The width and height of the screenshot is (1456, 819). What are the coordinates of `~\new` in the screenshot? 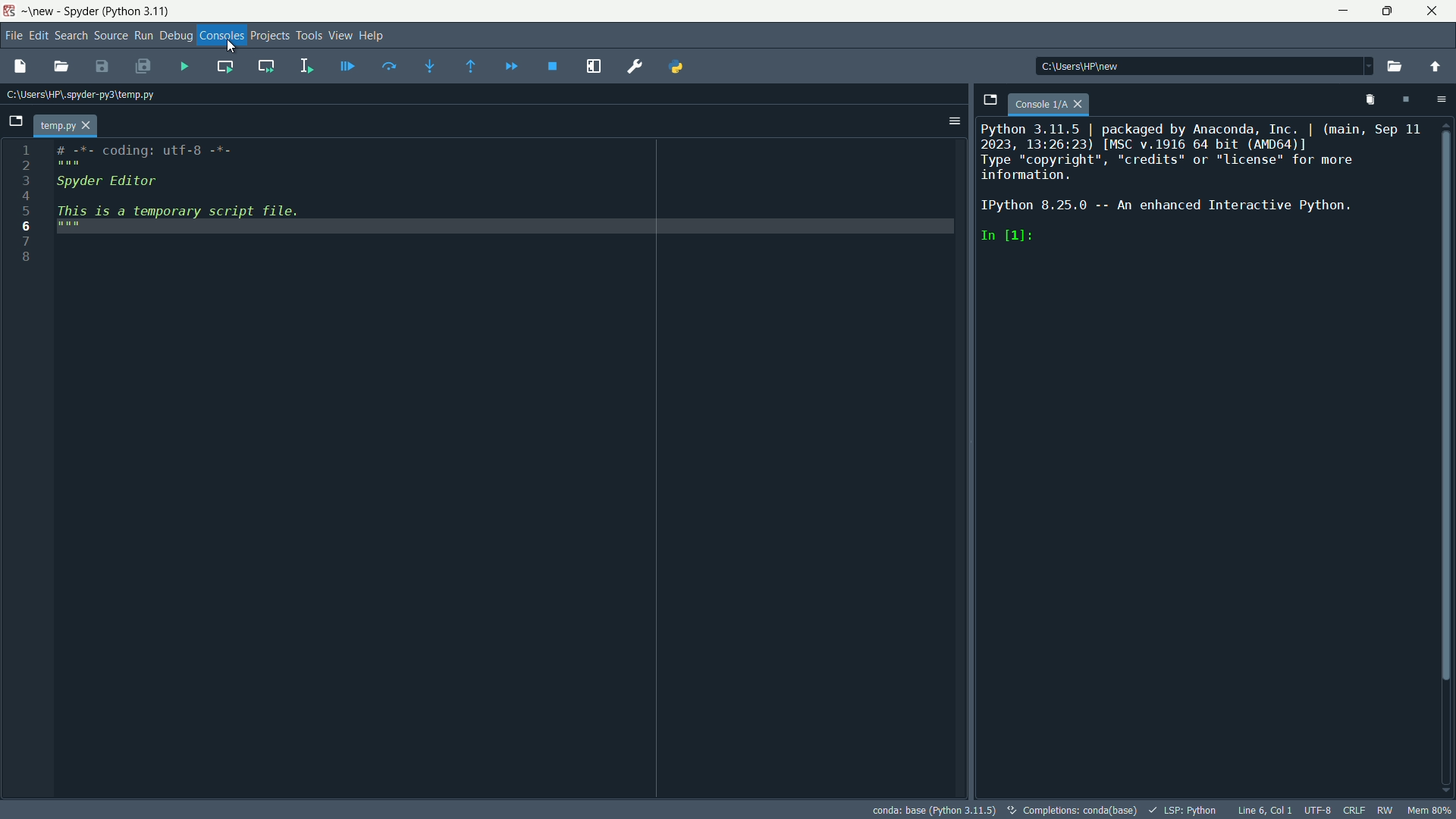 It's located at (39, 11).